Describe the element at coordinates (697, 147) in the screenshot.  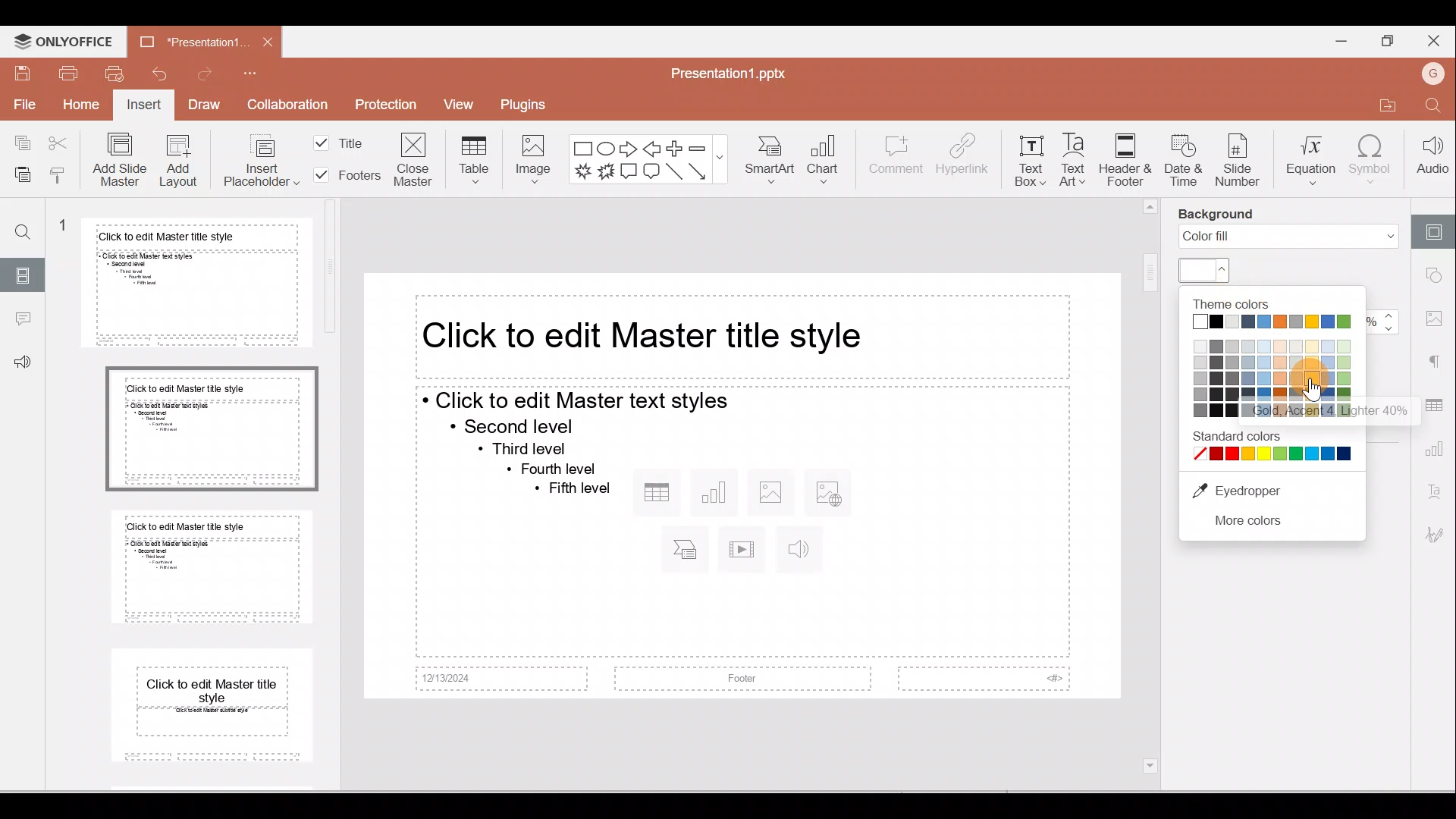
I see `Minus` at that location.